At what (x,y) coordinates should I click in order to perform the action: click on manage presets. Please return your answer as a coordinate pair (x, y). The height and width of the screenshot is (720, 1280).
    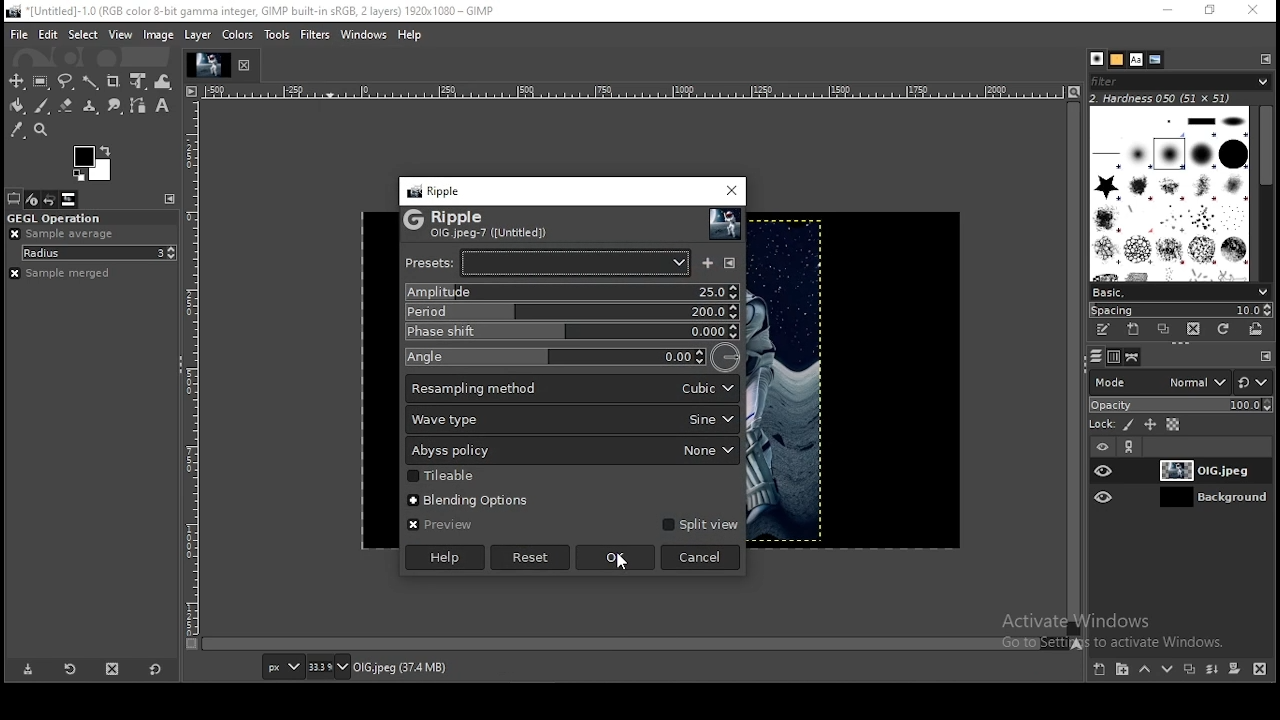
    Looking at the image, I should click on (731, 262).